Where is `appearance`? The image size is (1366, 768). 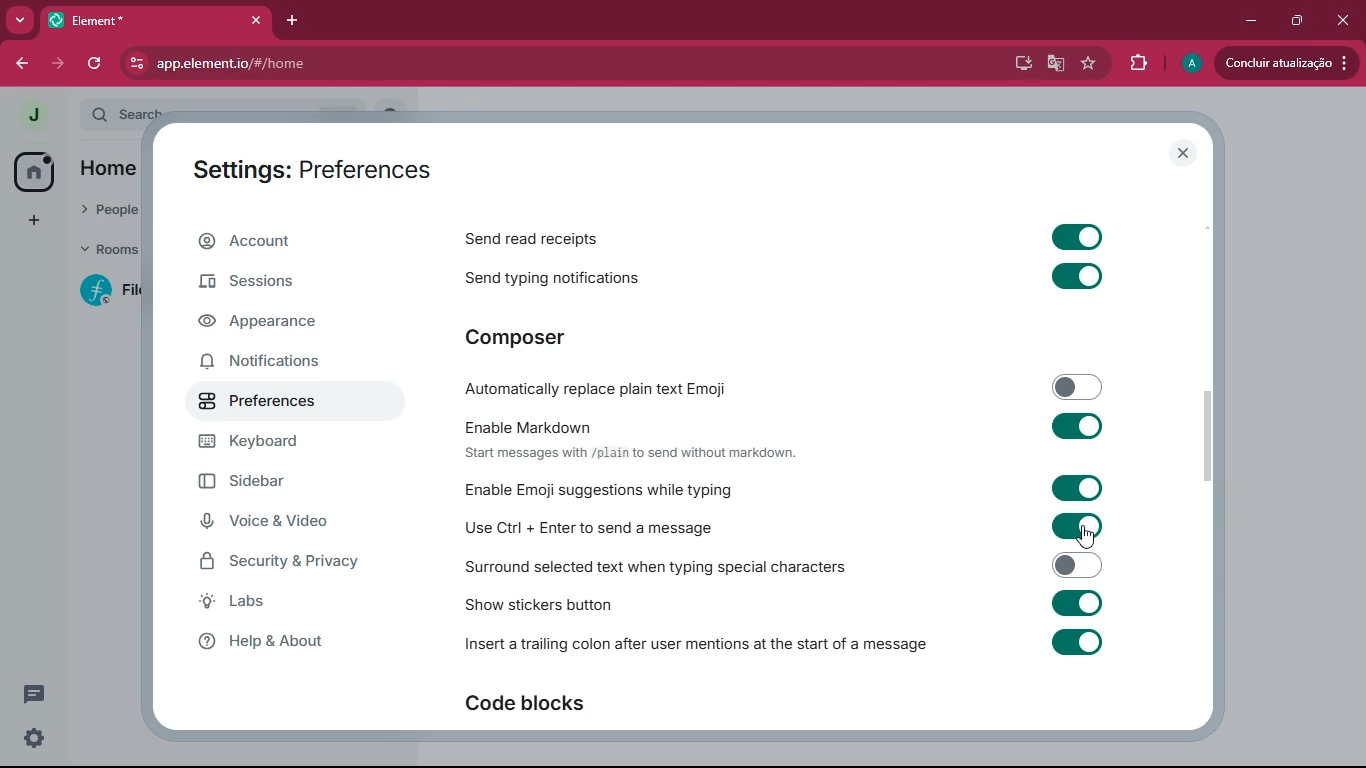
appearance is located at coordinates (280, 322).